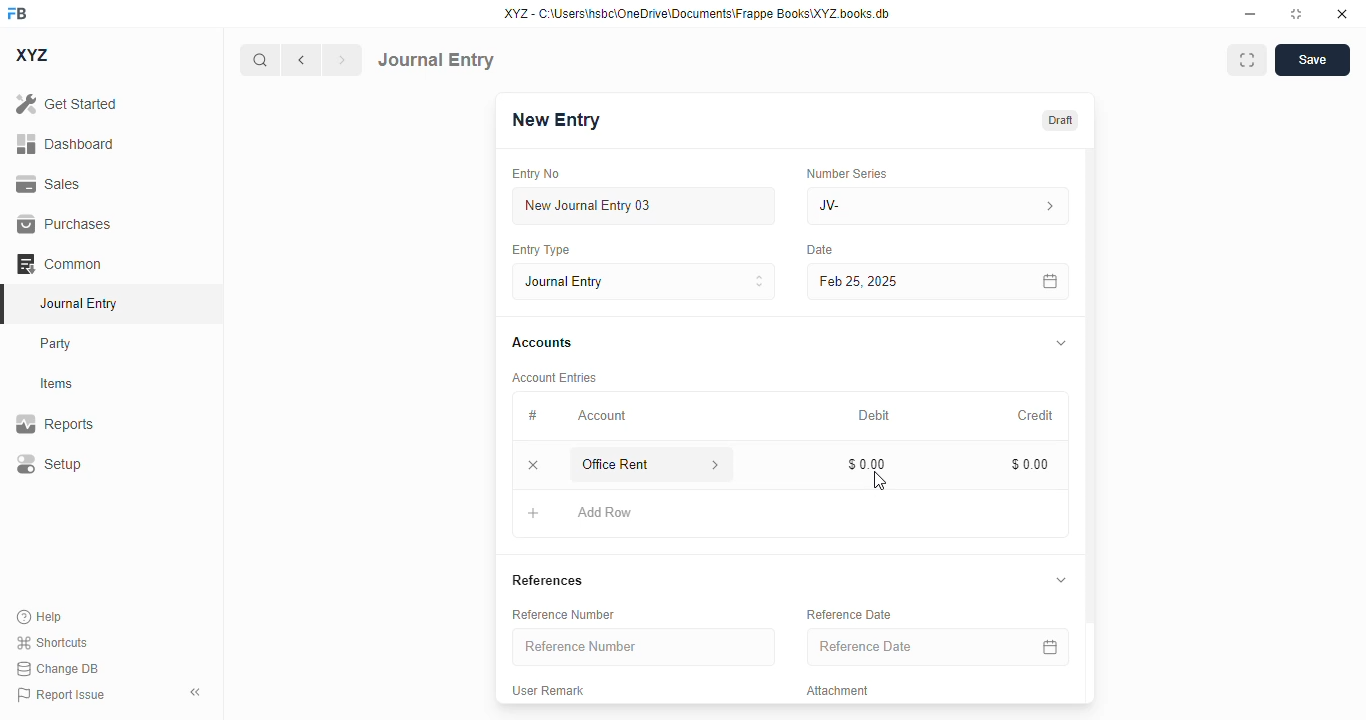  I want to click on number series, so click(846, 173).